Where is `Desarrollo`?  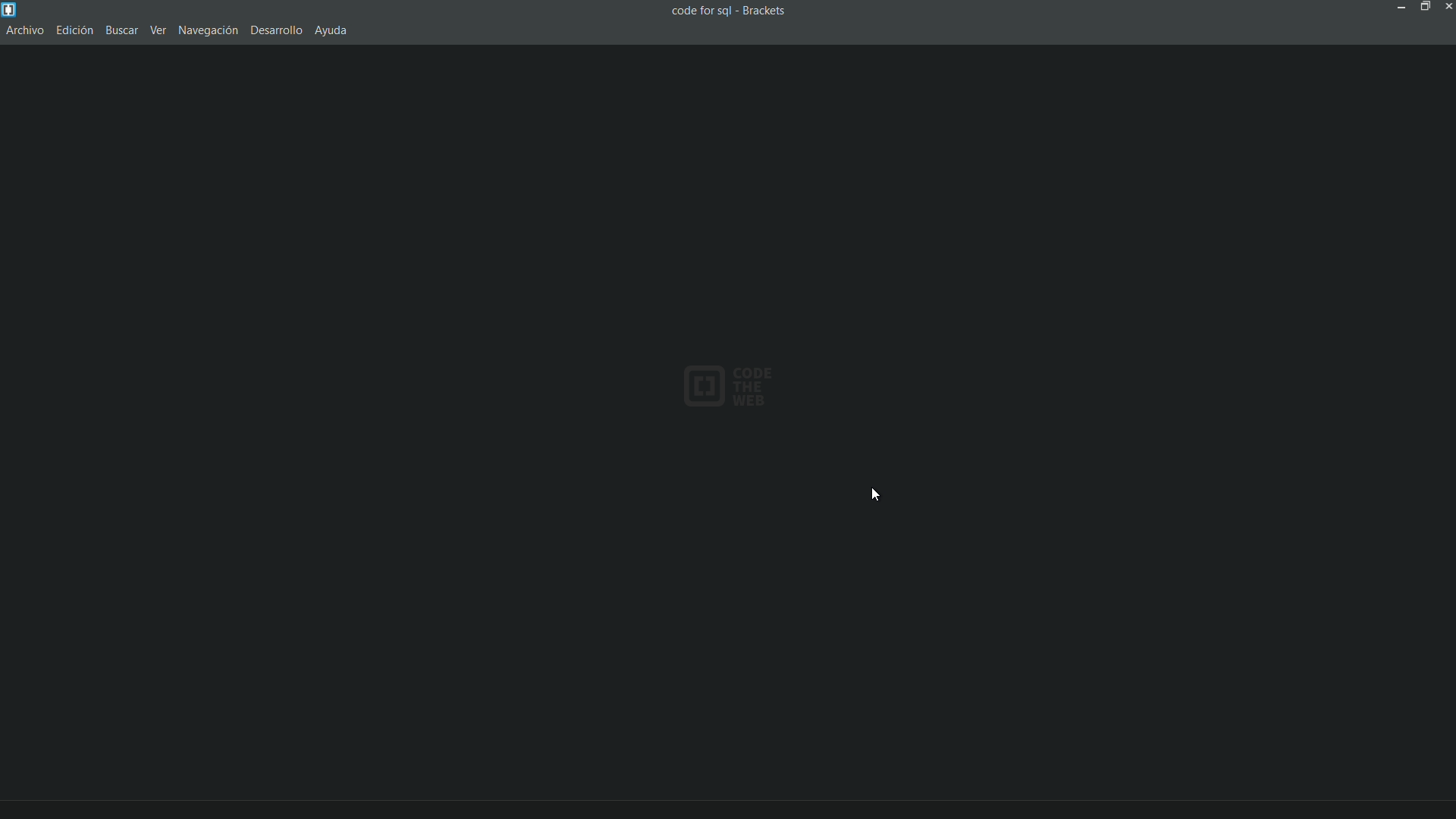 Desarrollo is located at coordinates (277, 30).